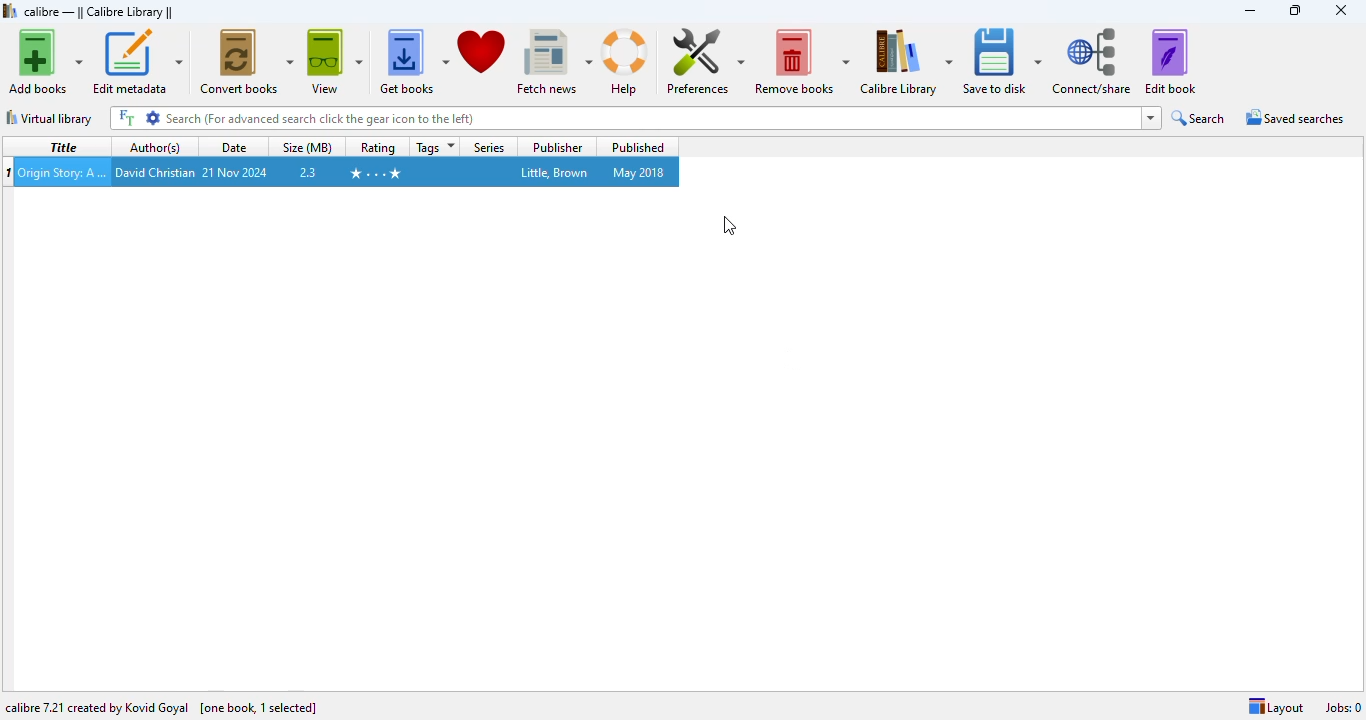 The height and width of the screenshot is (720, 1366). Describe the element at coordinates (1295, 116) in the screenshot. I see `saved searches` at that location.